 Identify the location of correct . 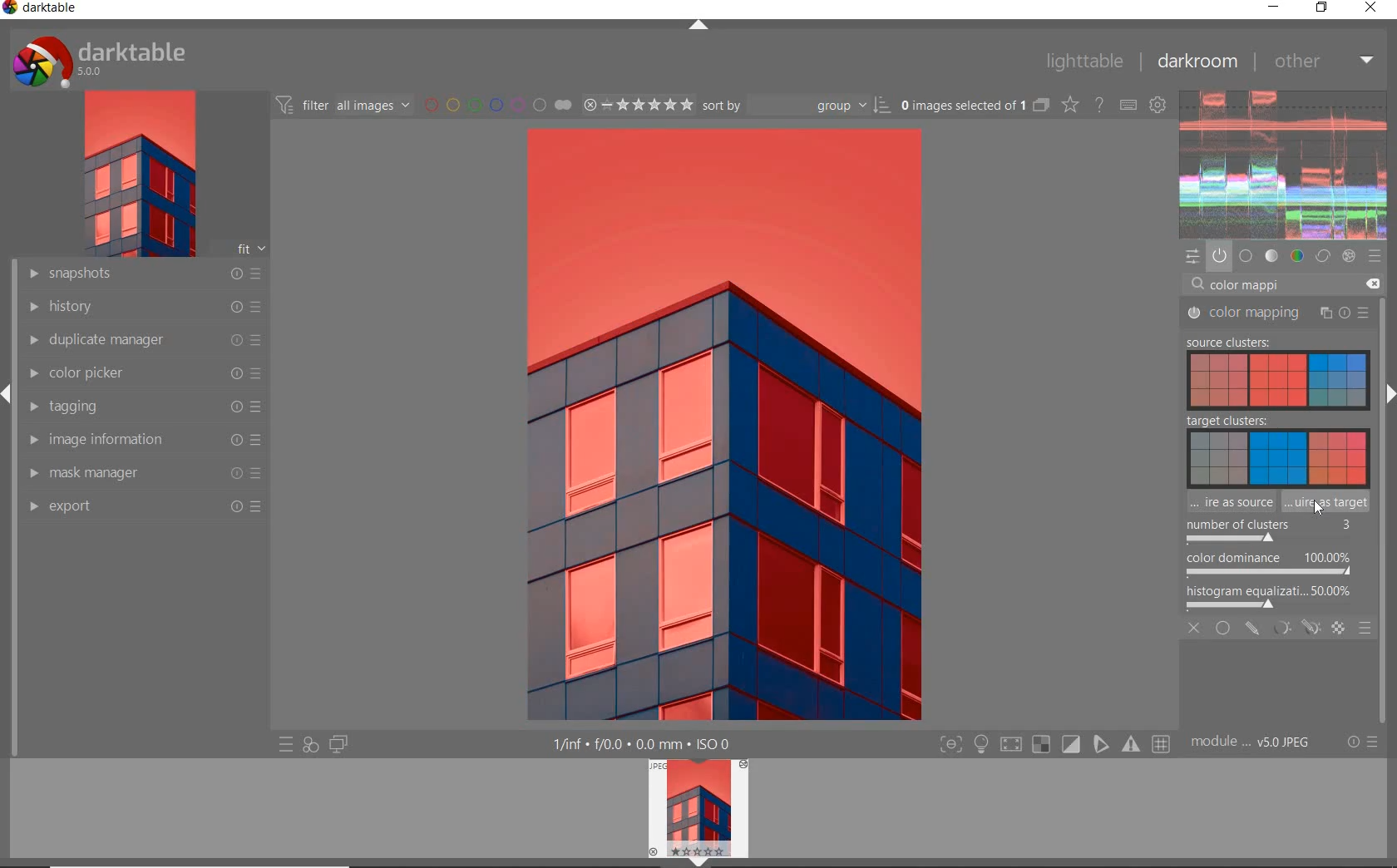
(1322, 257).